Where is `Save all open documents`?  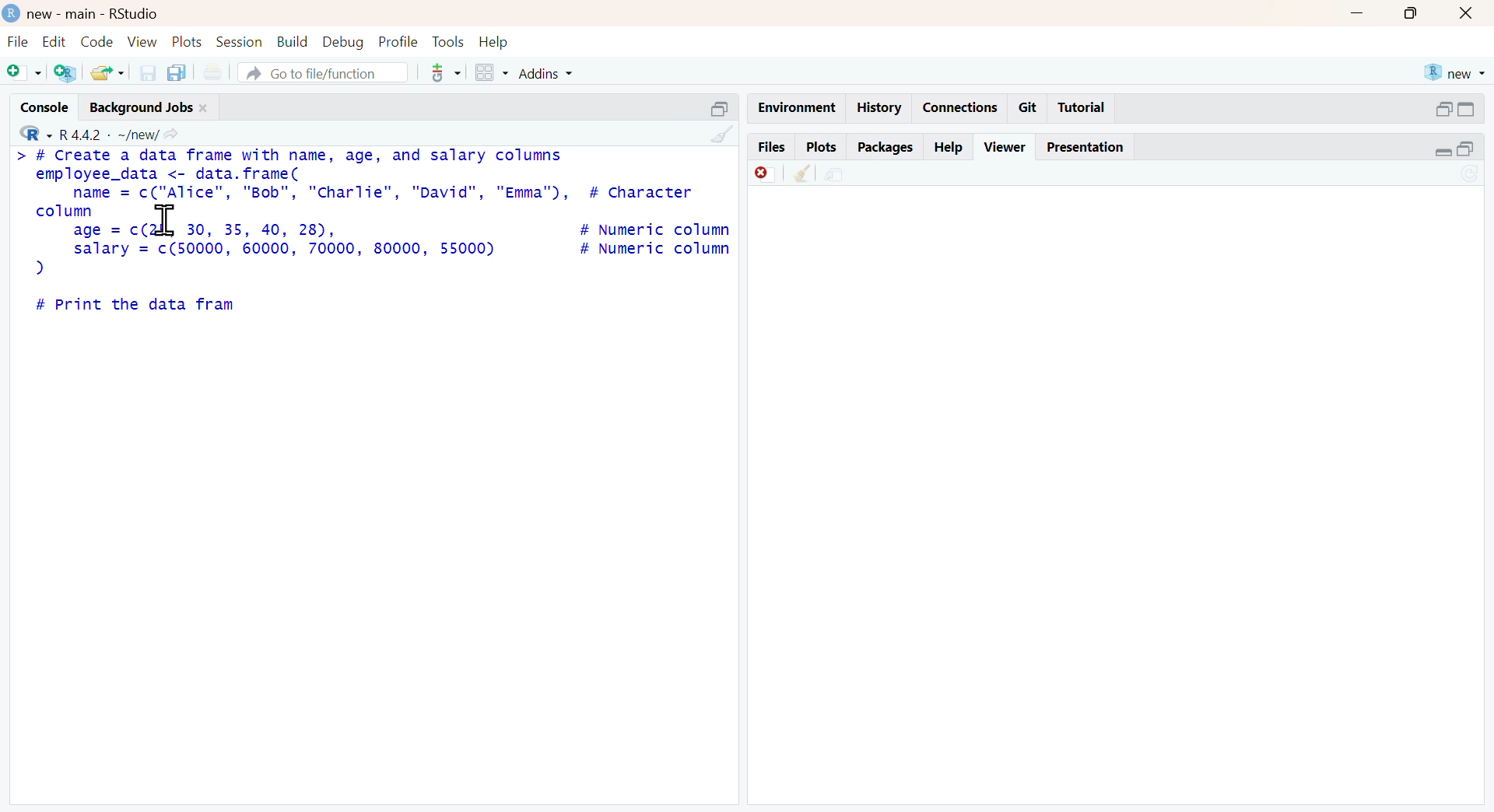 Save all open documents is located at coordinates (181, 71).